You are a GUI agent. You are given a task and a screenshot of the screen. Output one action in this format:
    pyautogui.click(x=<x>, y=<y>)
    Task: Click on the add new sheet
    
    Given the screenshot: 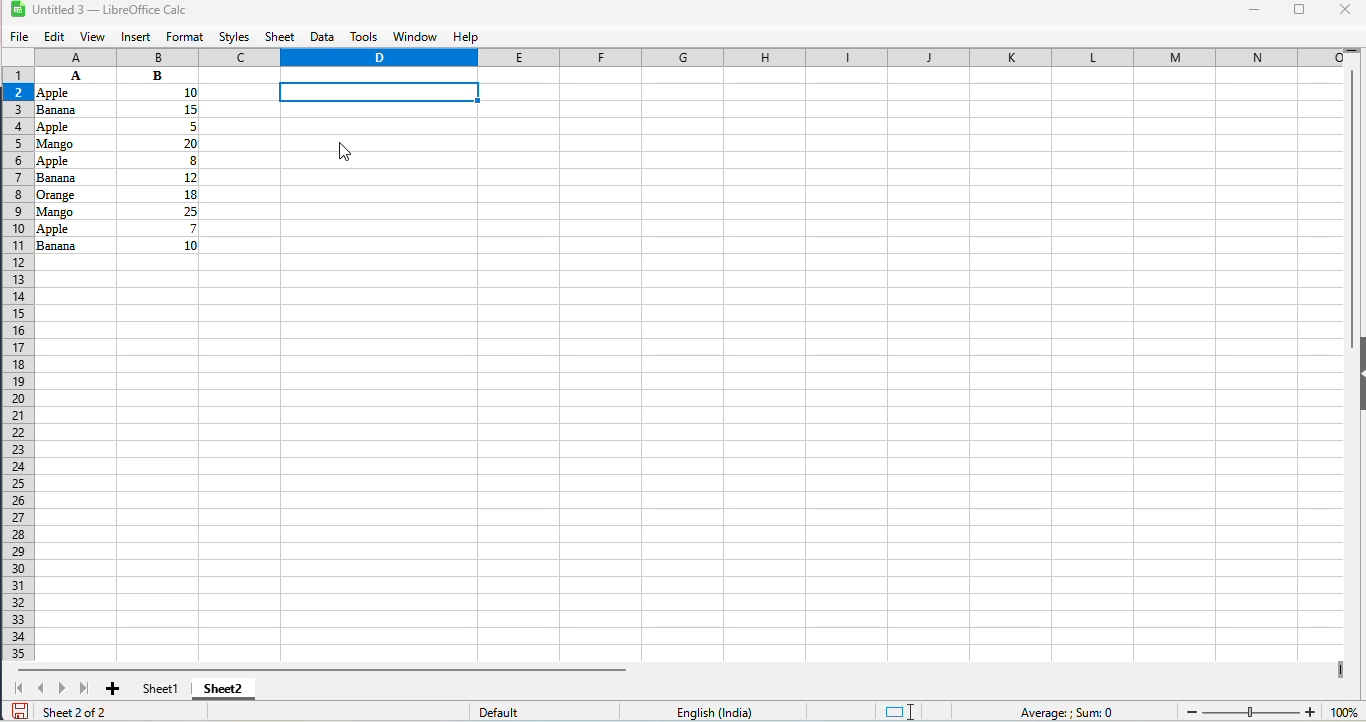 What is the action you would take?
    pyautogui.click(x=112, y=689)
    